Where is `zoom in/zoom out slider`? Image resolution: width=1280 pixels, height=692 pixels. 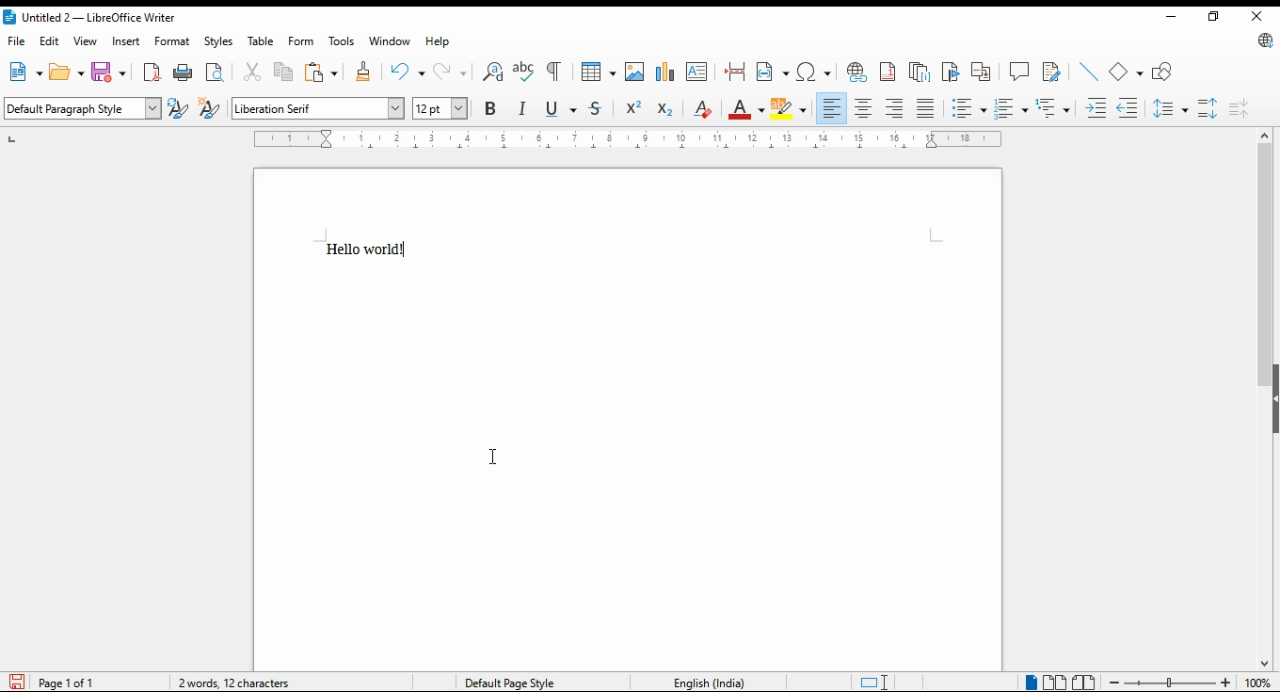
zoom in/zoom out slider is located at coordinates (1170, 682).